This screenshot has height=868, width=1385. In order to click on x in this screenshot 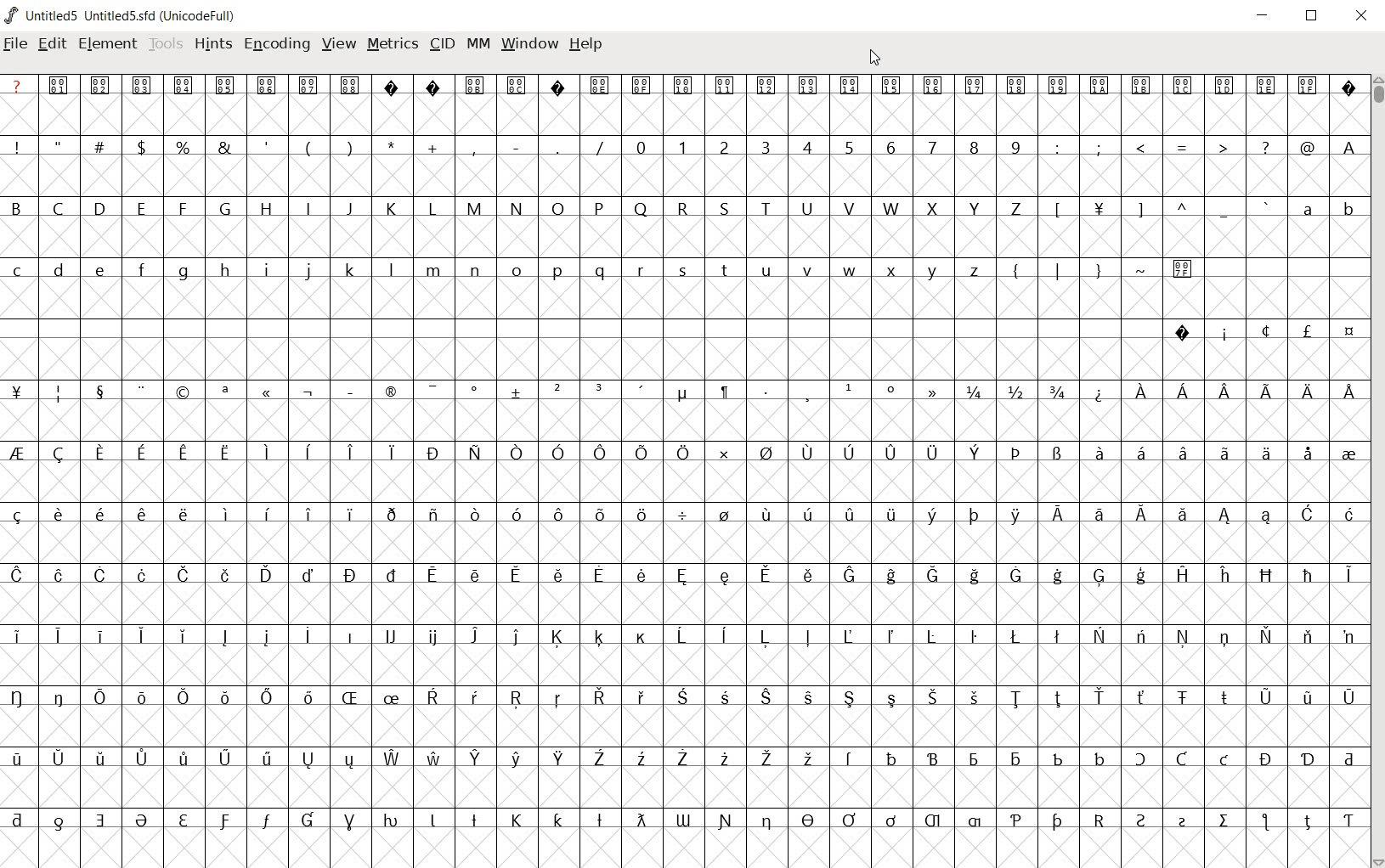, I will do `click(893, 270)`.